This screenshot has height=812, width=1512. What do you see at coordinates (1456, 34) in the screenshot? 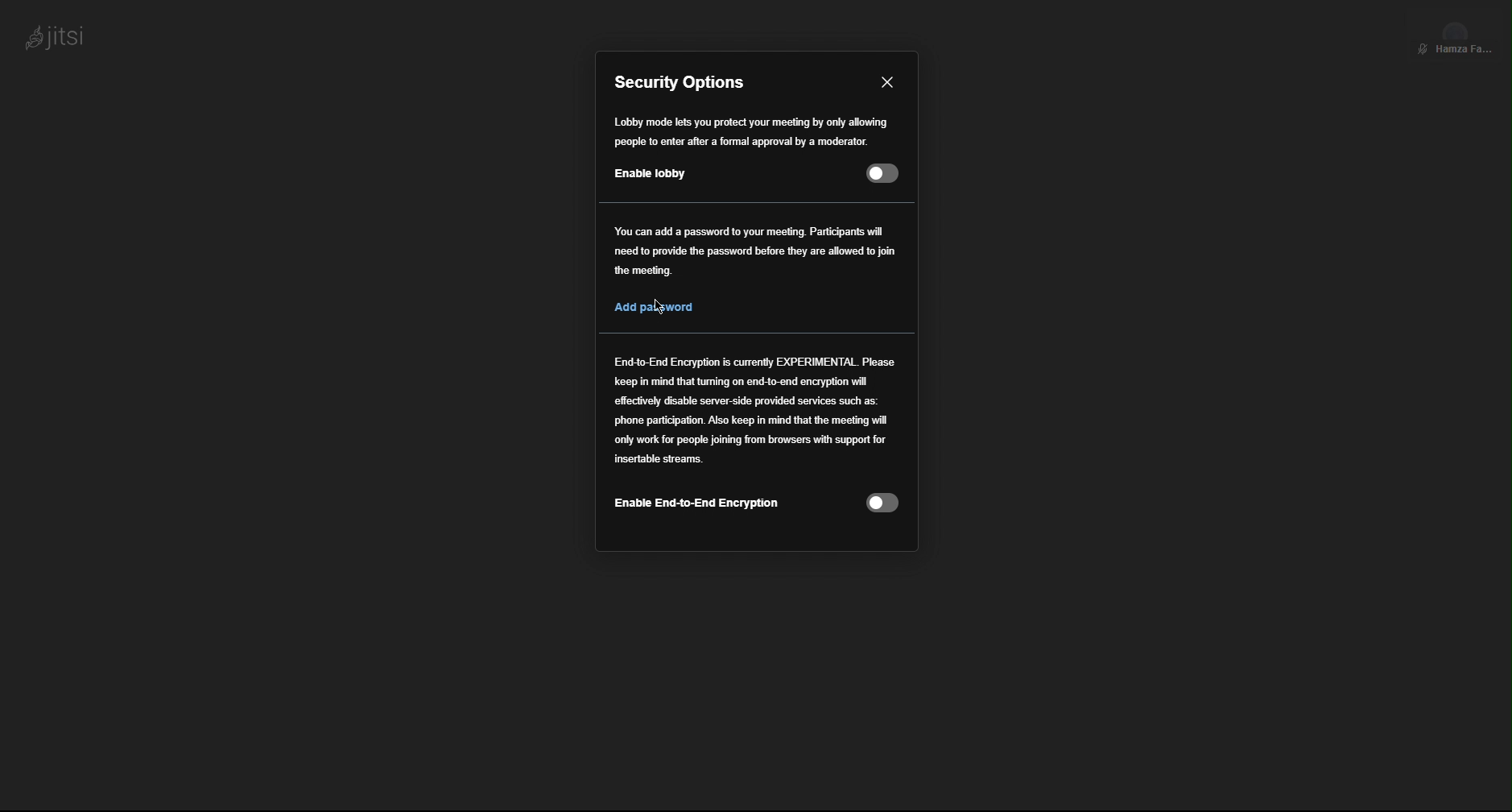
I see `Participant View` at bounding box center [1456, 34].